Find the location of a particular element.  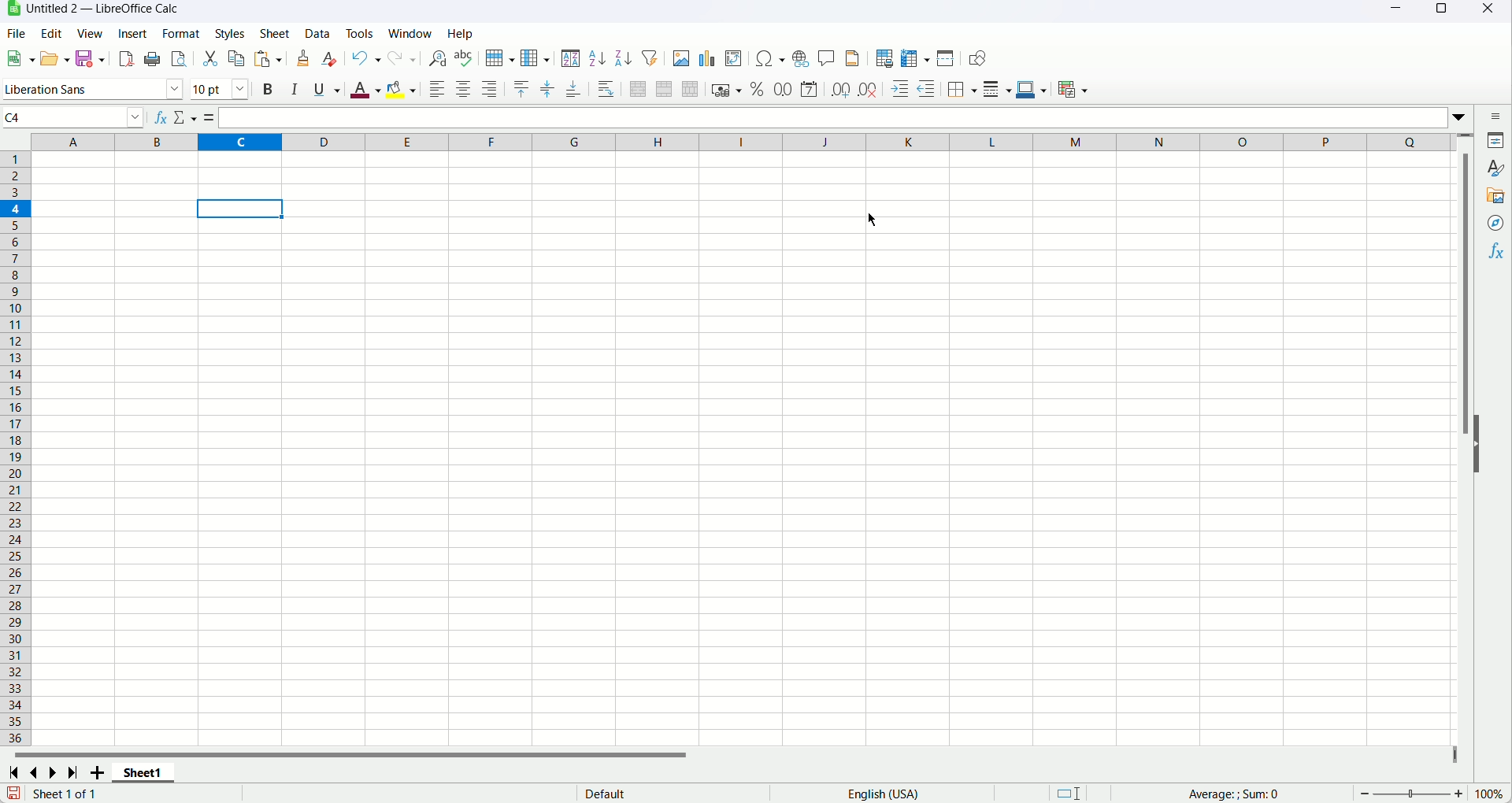

cursor is located at coordinates (871, 219).